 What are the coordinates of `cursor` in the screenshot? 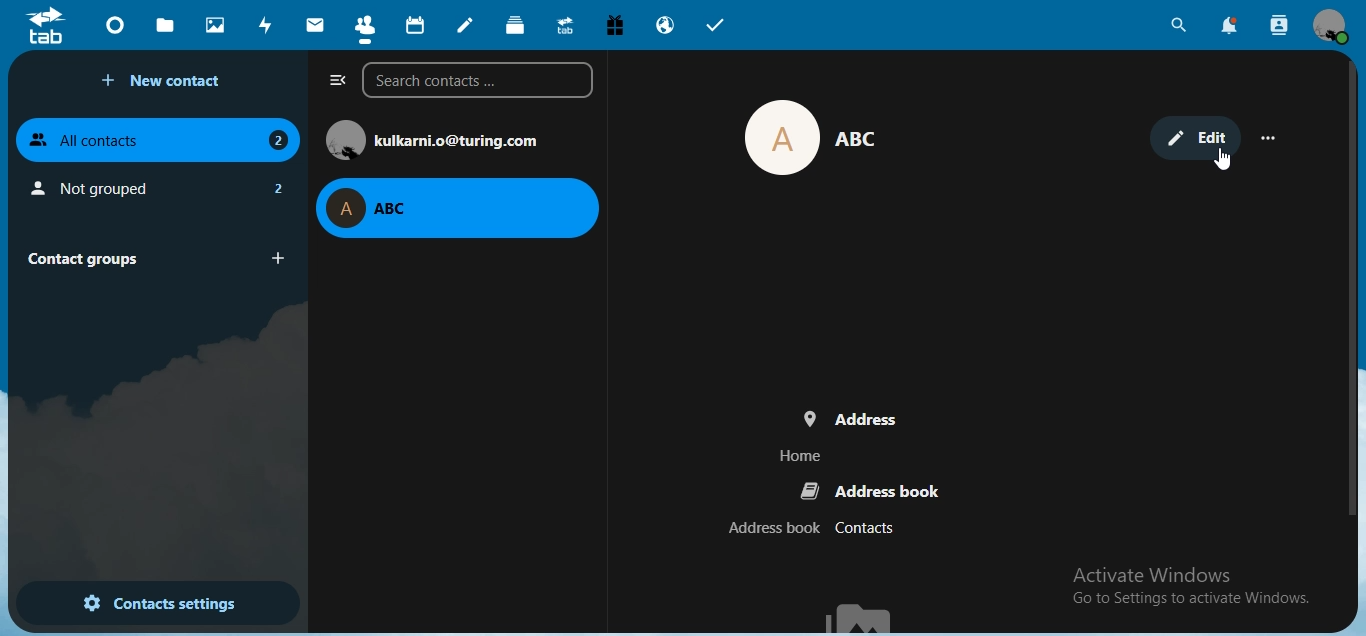 It's located at (1223, 160).